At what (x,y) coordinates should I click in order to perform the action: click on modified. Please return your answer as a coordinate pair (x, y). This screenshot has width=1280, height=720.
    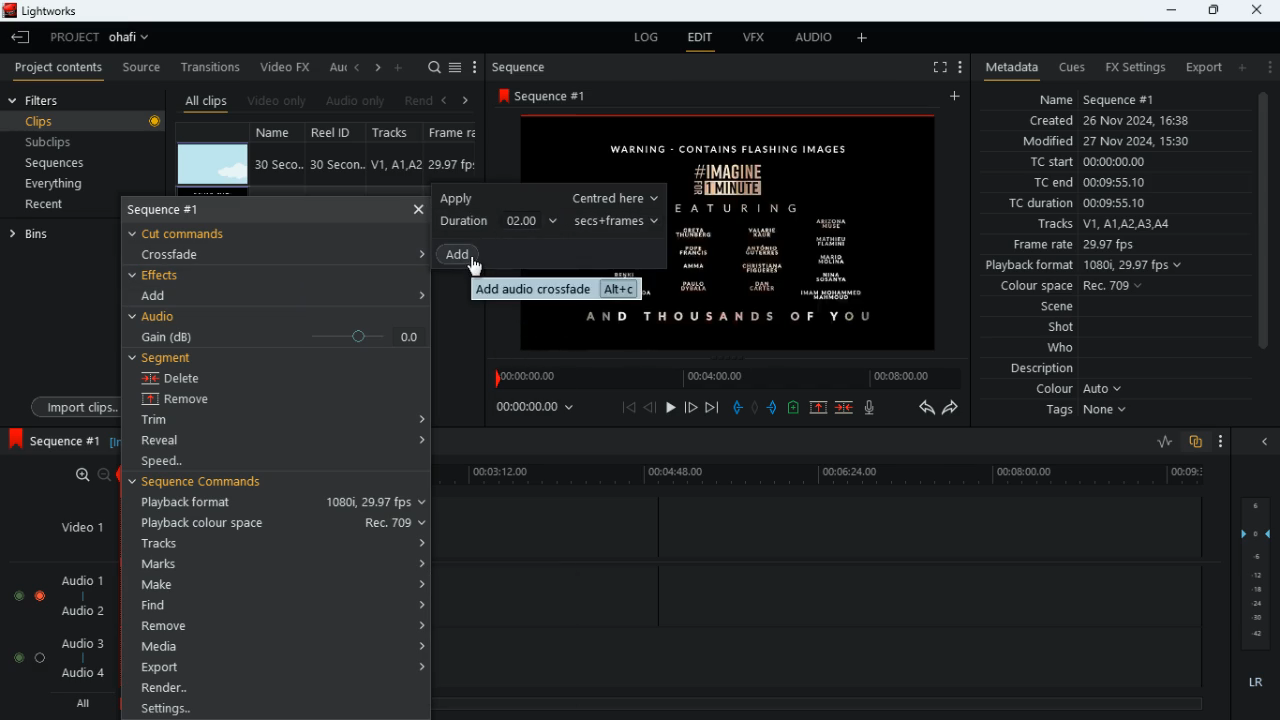
    Looking at the image, I should click on (1119, 143).